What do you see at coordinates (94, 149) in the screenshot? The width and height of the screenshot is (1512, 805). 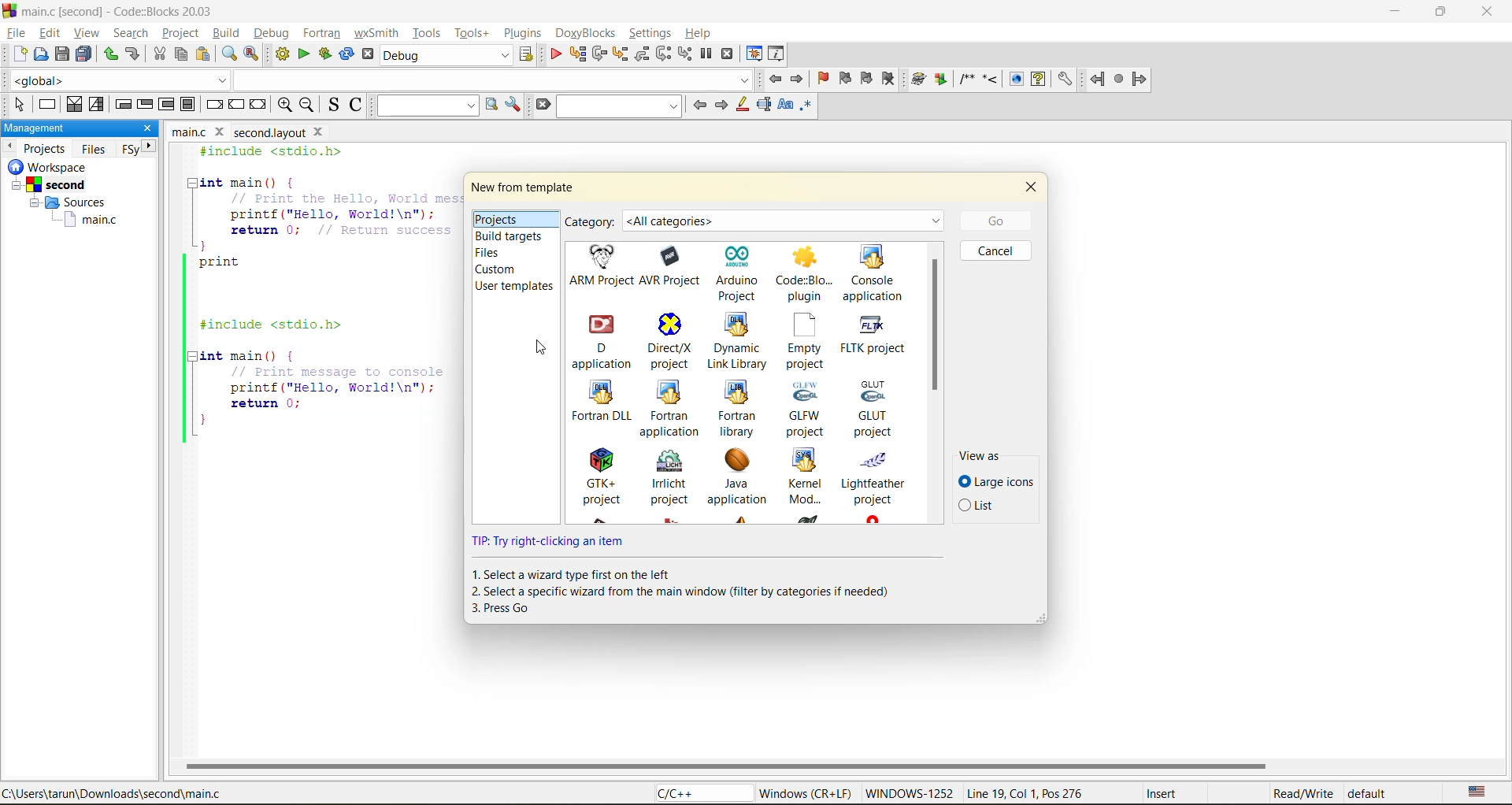 I see `files` at bounding box center [94, 149].